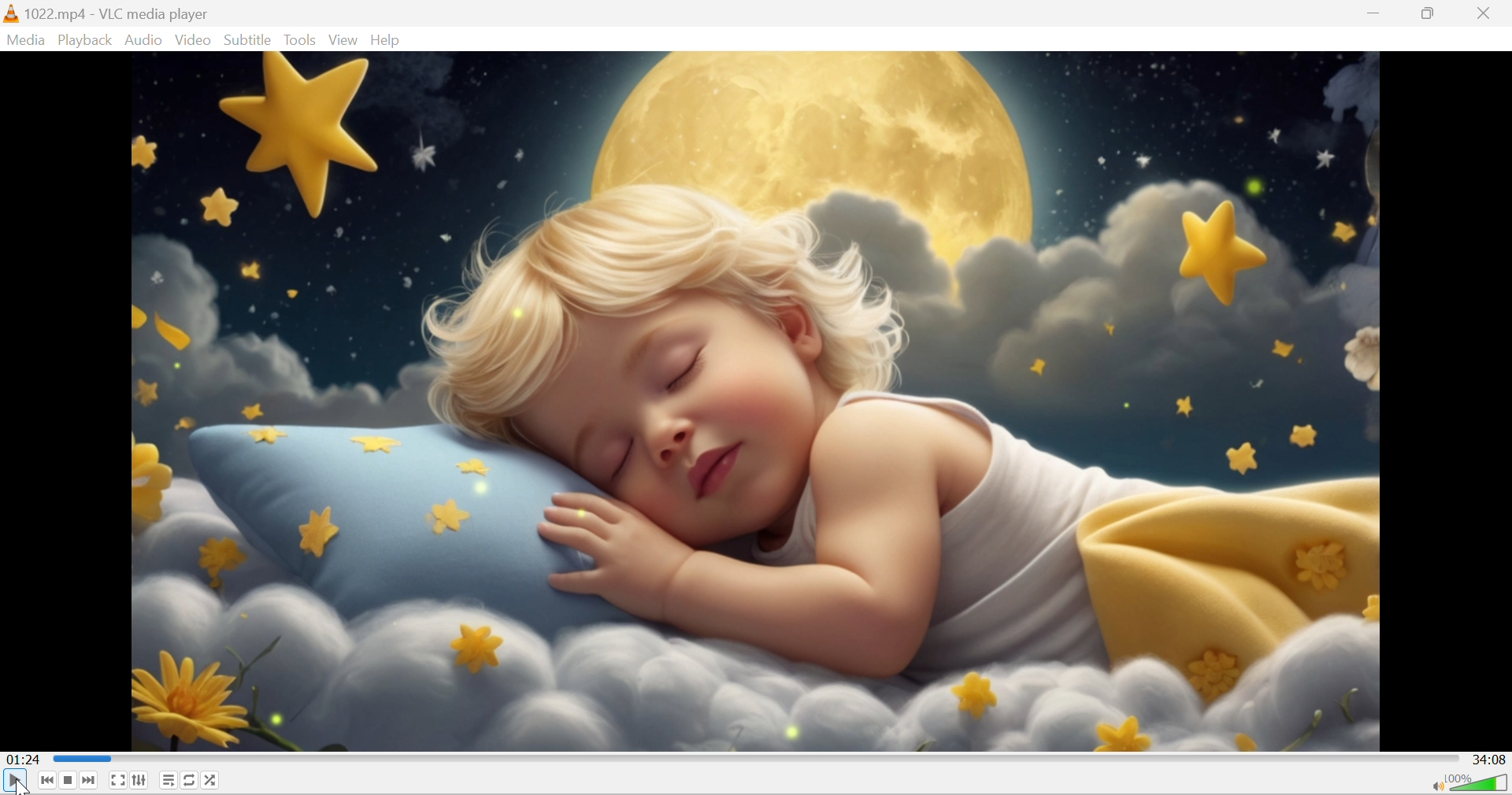  I want to click on Video, so click(196, 40).